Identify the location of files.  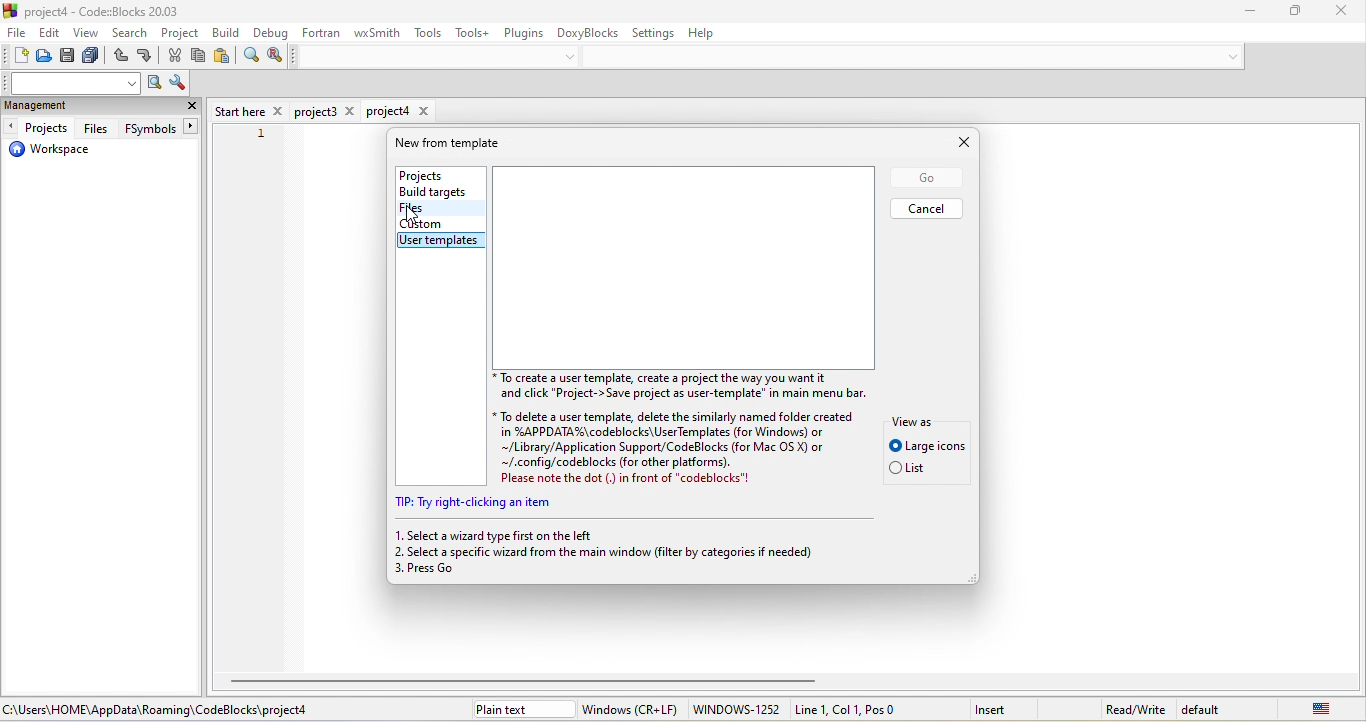
(96, 128).